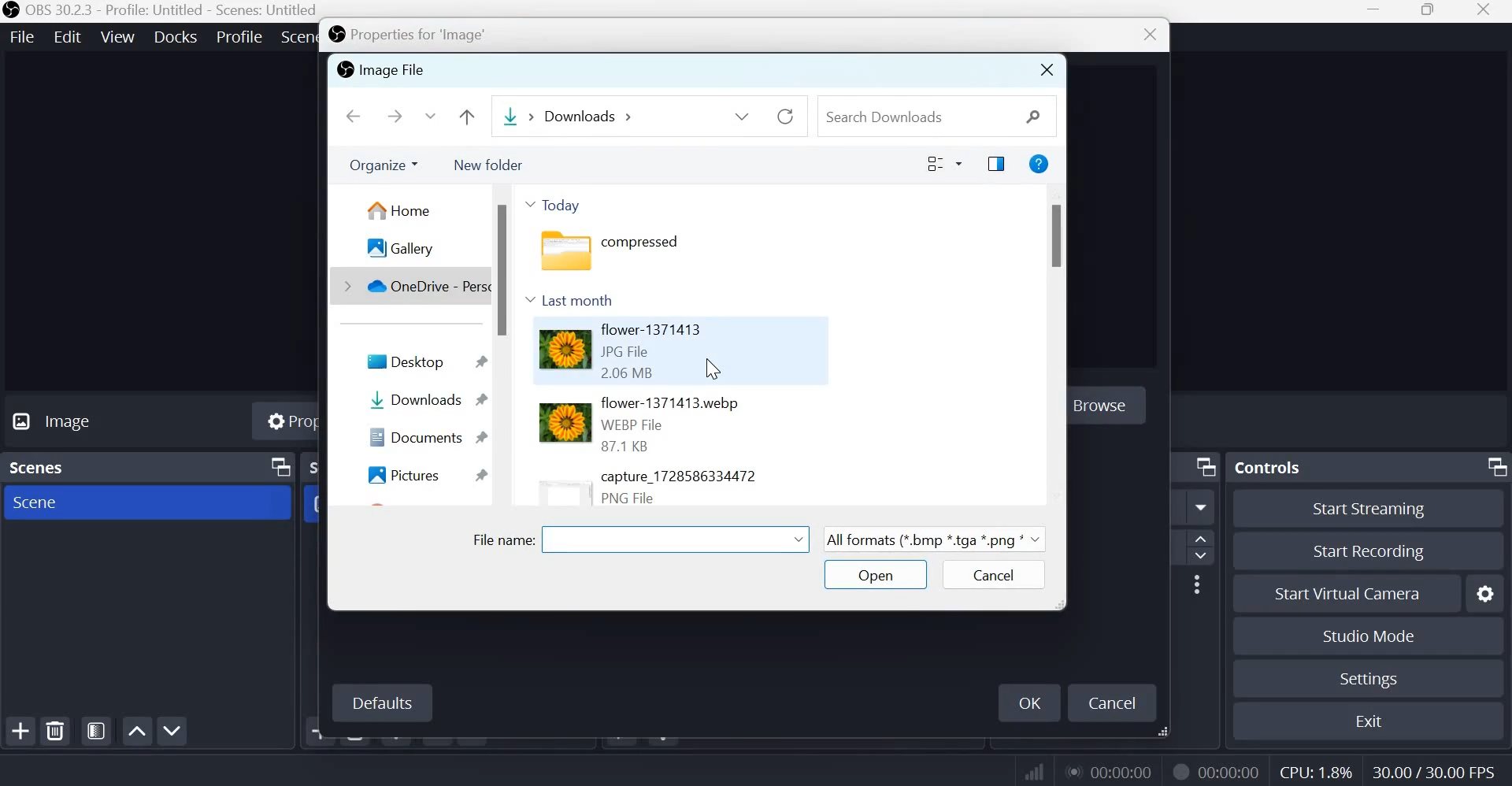 This screenshot has height=786, width=1512. What do you see at coordinates (992, 165) in the screenshot?
I see `show the preview pane` at bounding box center [992, 165].